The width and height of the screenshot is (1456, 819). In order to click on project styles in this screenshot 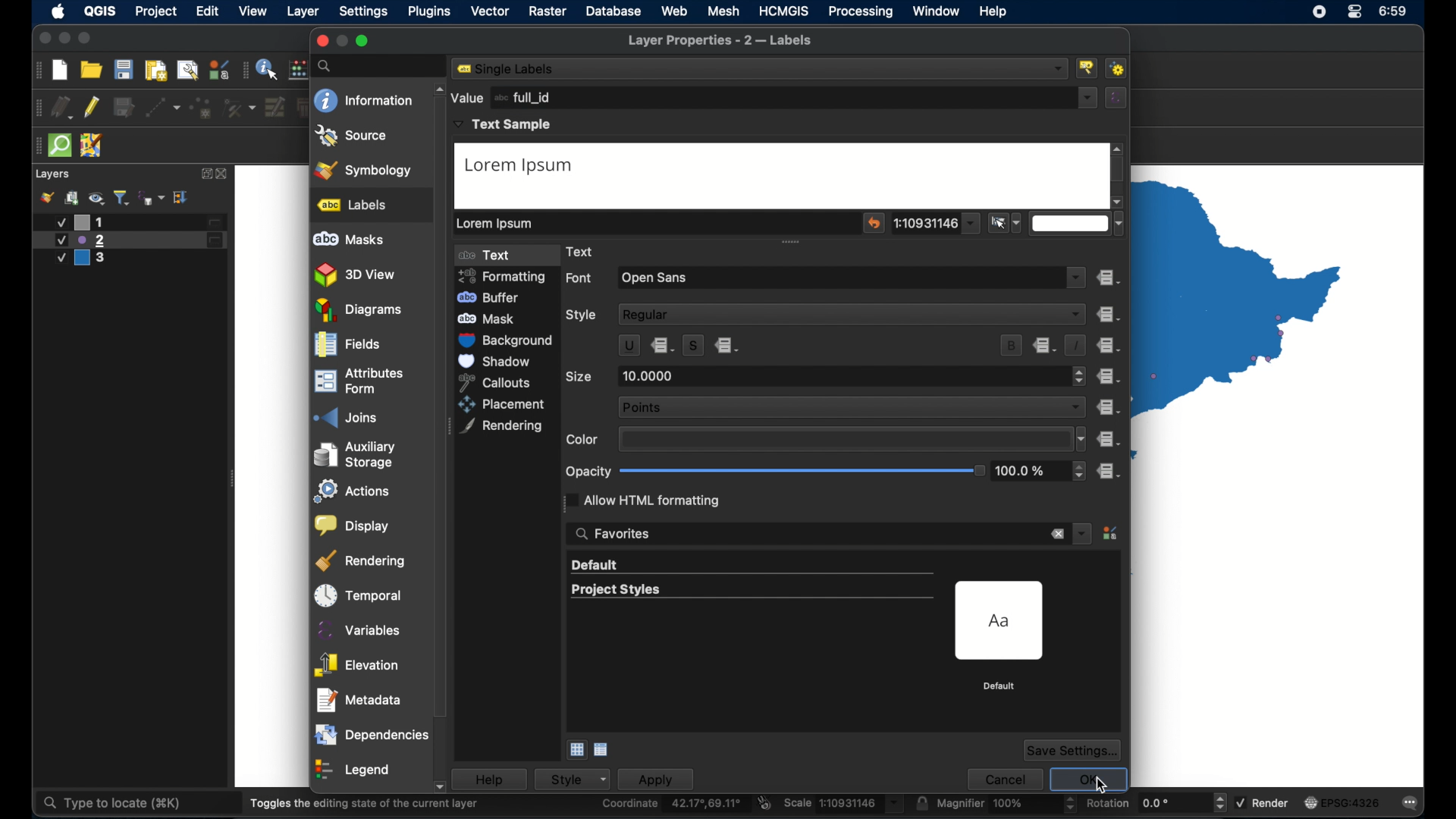, I will do `click(614, 590)`.